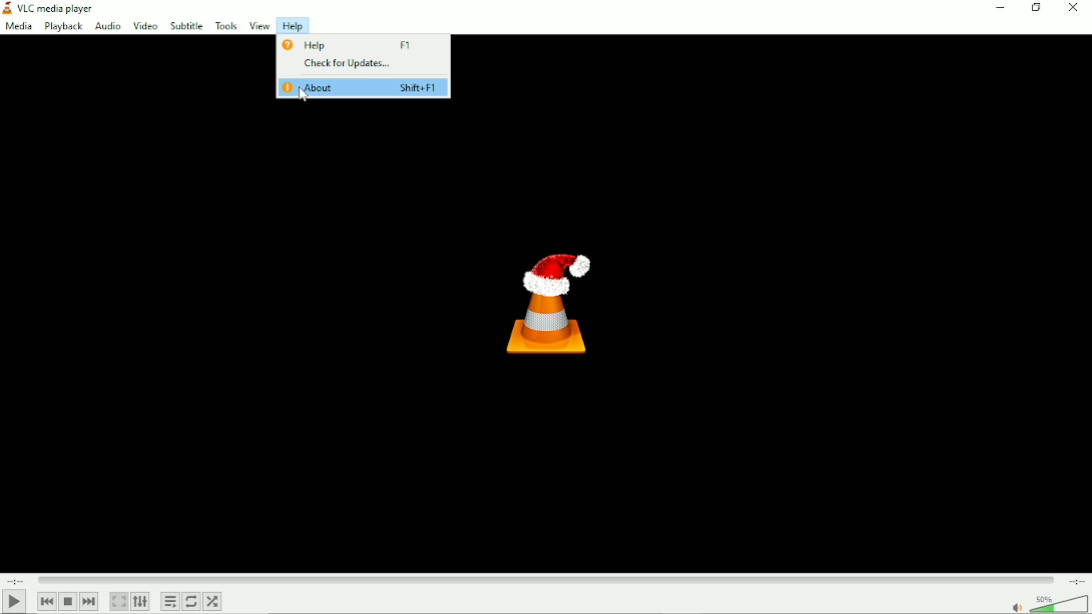 This screenshot has width=1092, height=614. What do you see at coordinates (89, 601) in the screenshot?
I see `Next` at bounding box center [89, 601].